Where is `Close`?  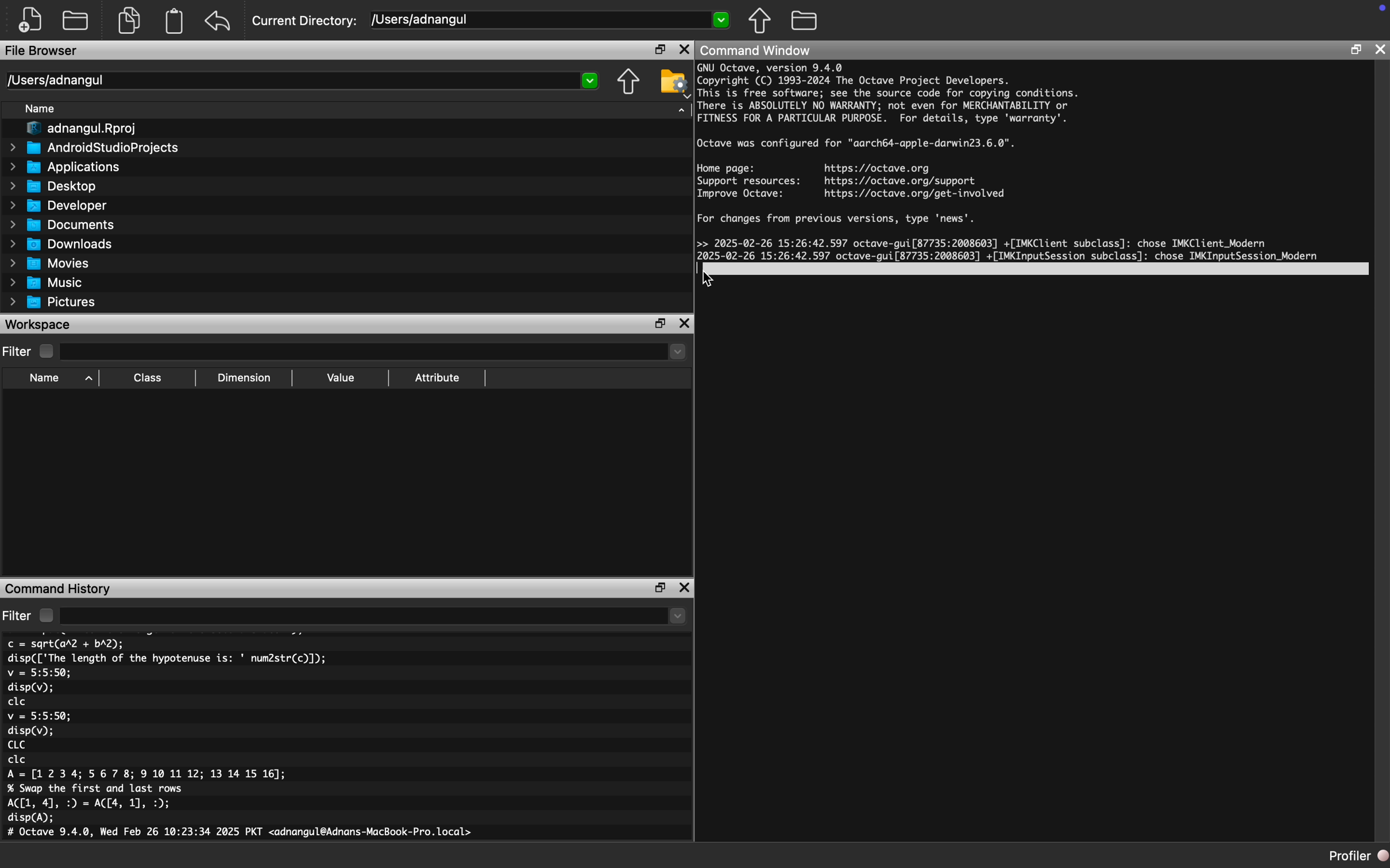
Close is located at coordinates (684, 49).